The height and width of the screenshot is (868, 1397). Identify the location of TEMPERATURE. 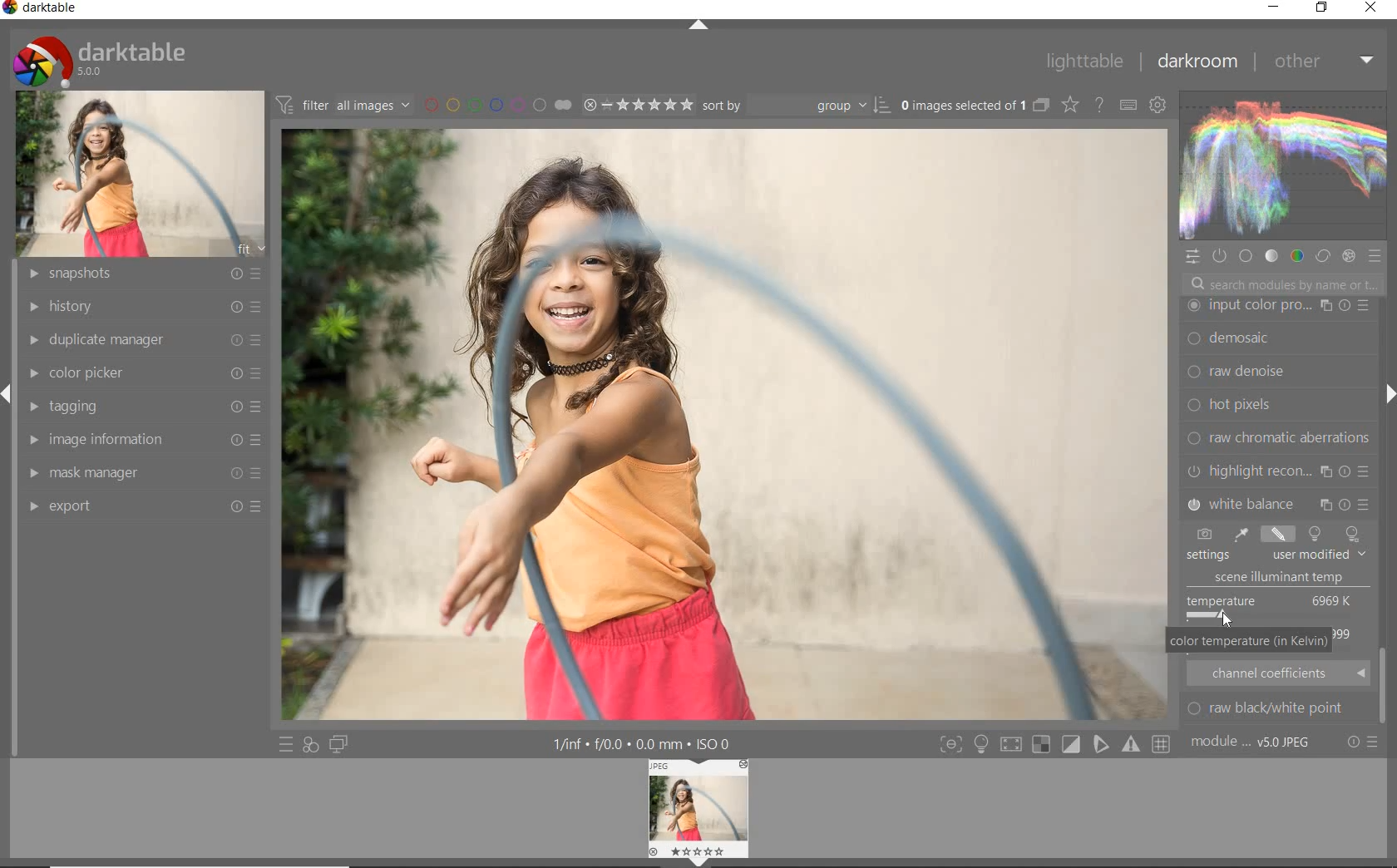
(1273, 557).